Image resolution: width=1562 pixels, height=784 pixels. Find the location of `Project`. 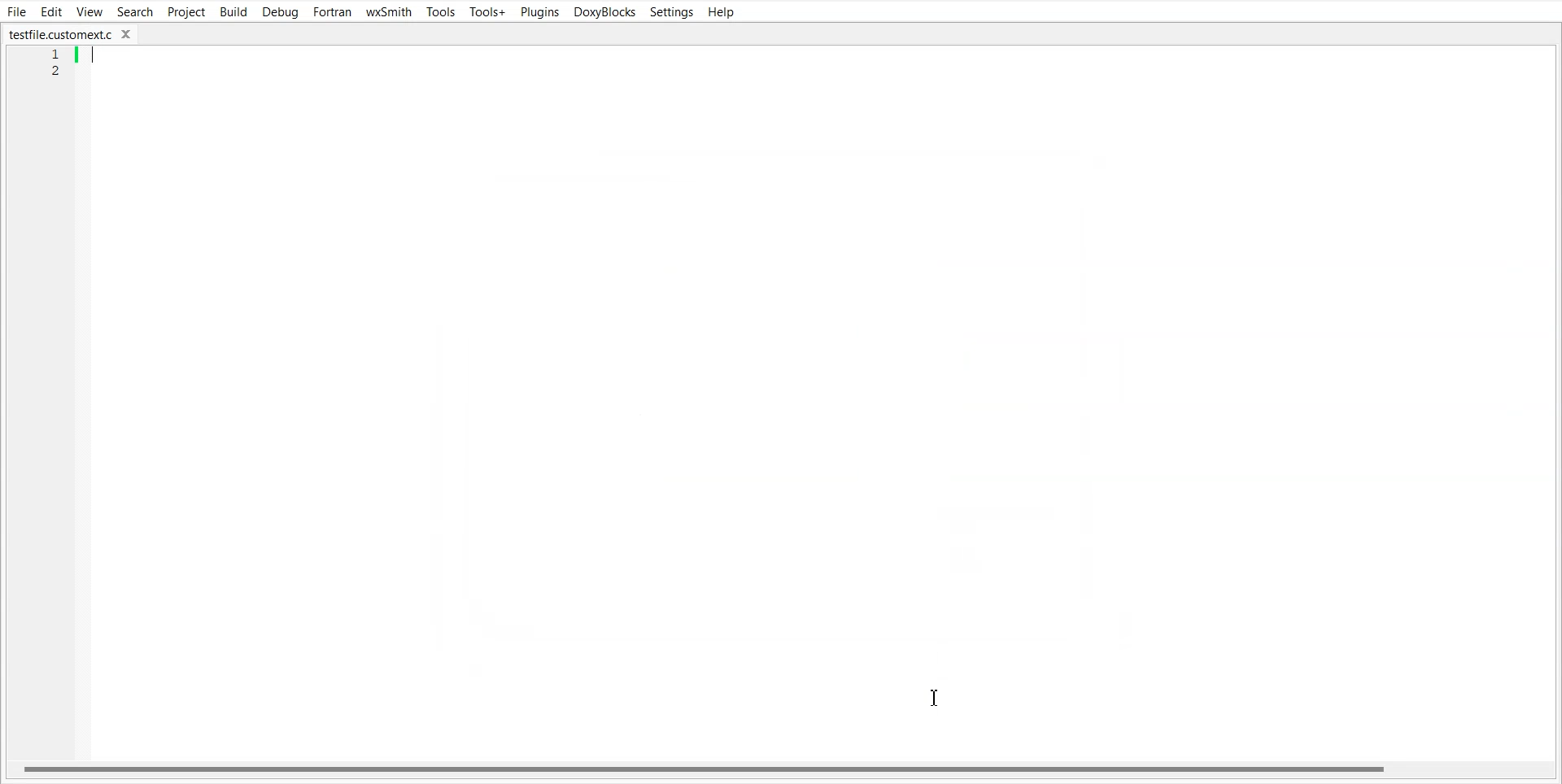

Project is located at coordinates (185, 11).